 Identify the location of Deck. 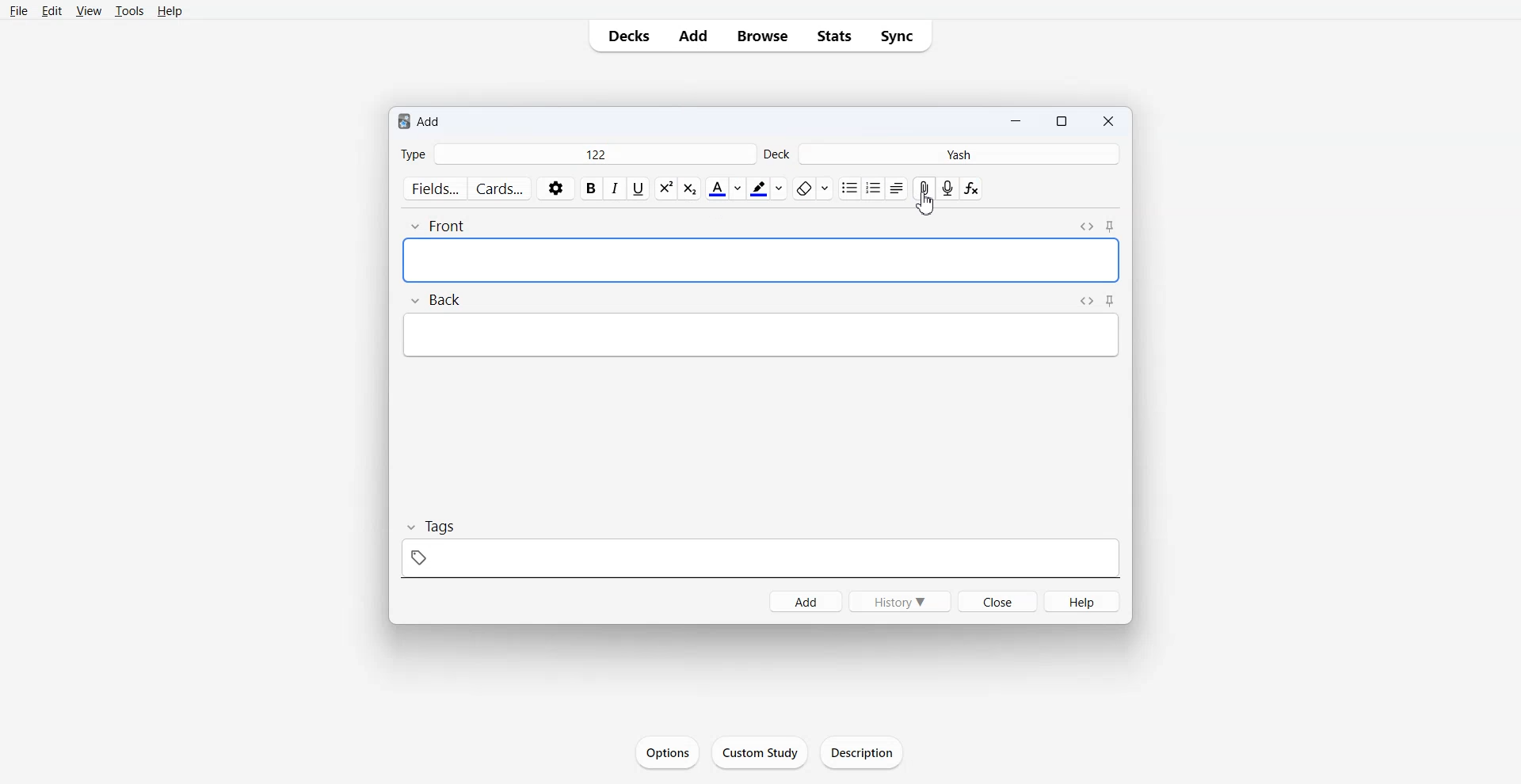
(776, 154).